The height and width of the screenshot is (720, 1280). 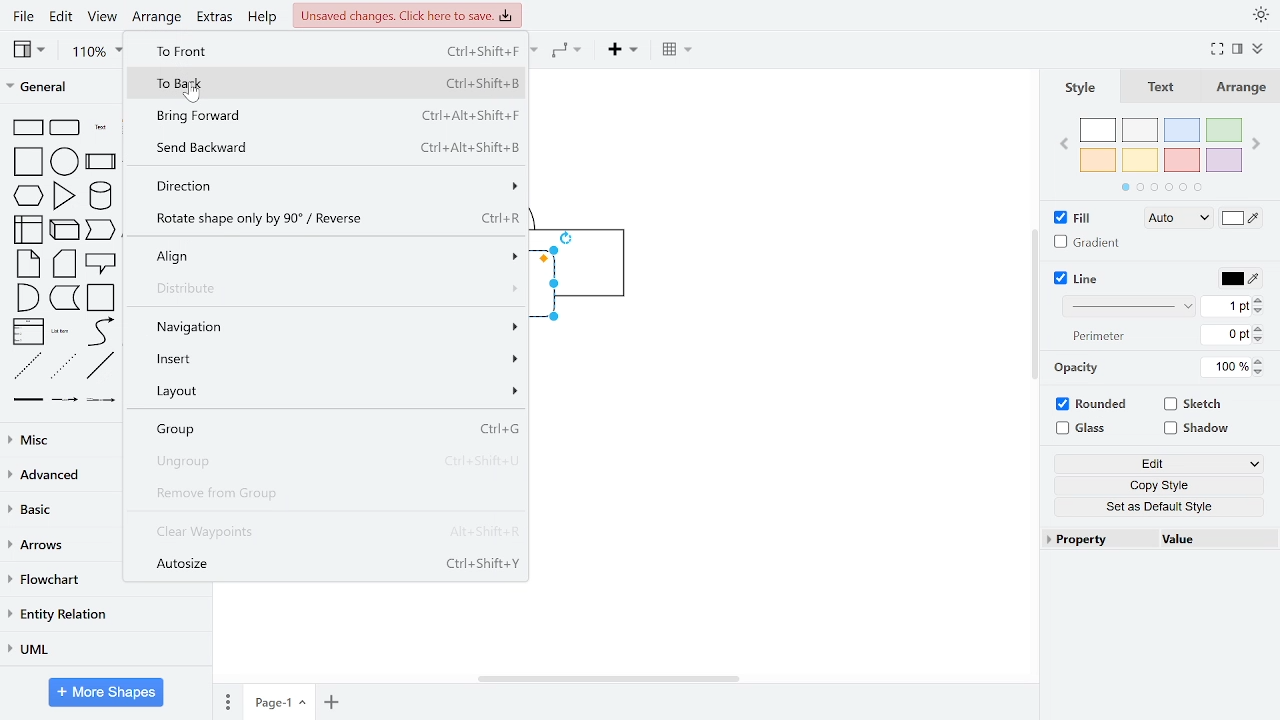 What do you see at coordinates (568, 52) in the screenshot?
I see `waypoints` at bounding box center [568, 52].